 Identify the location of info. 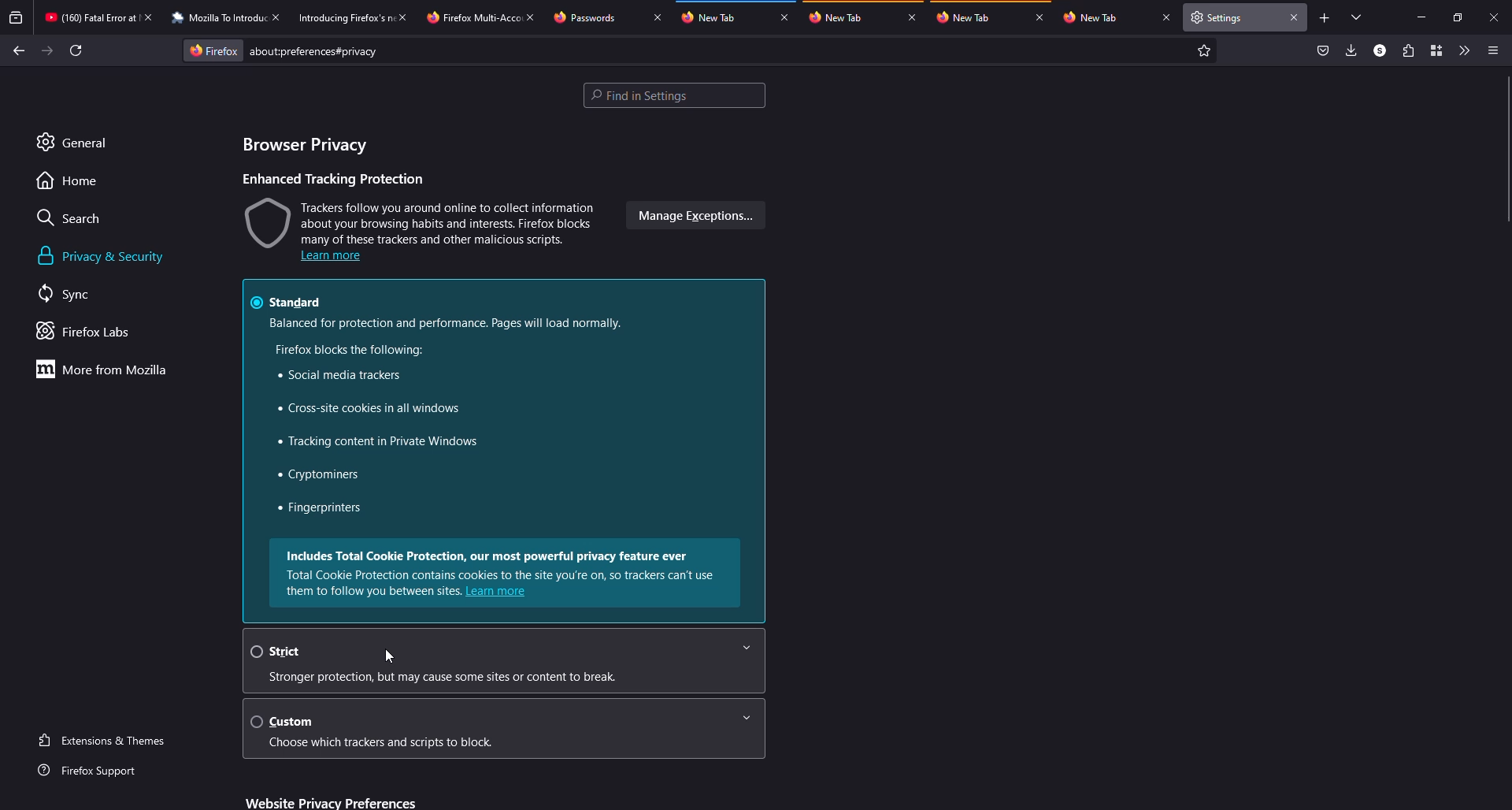
(422, 220).